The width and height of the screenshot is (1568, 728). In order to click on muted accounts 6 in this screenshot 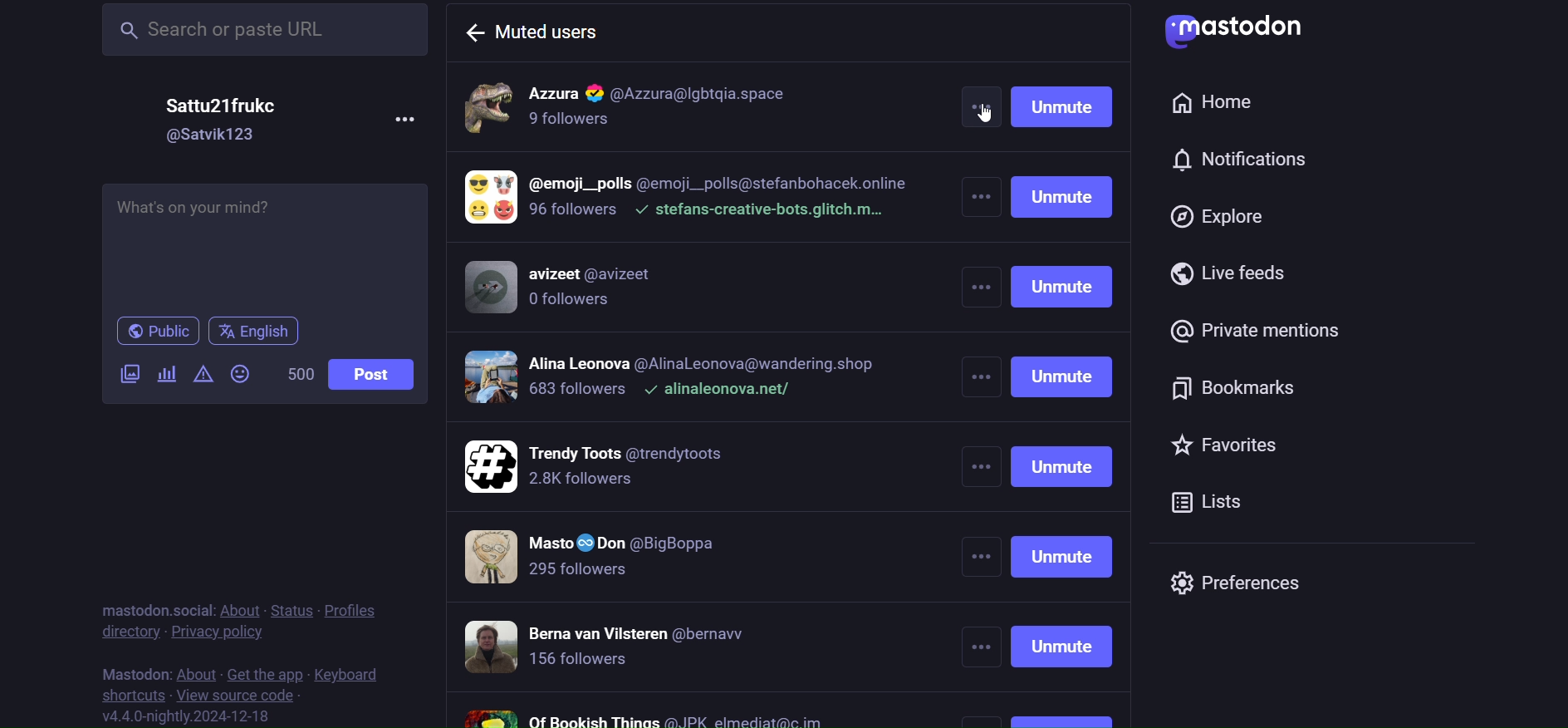, I will do `click(616, 562)`.